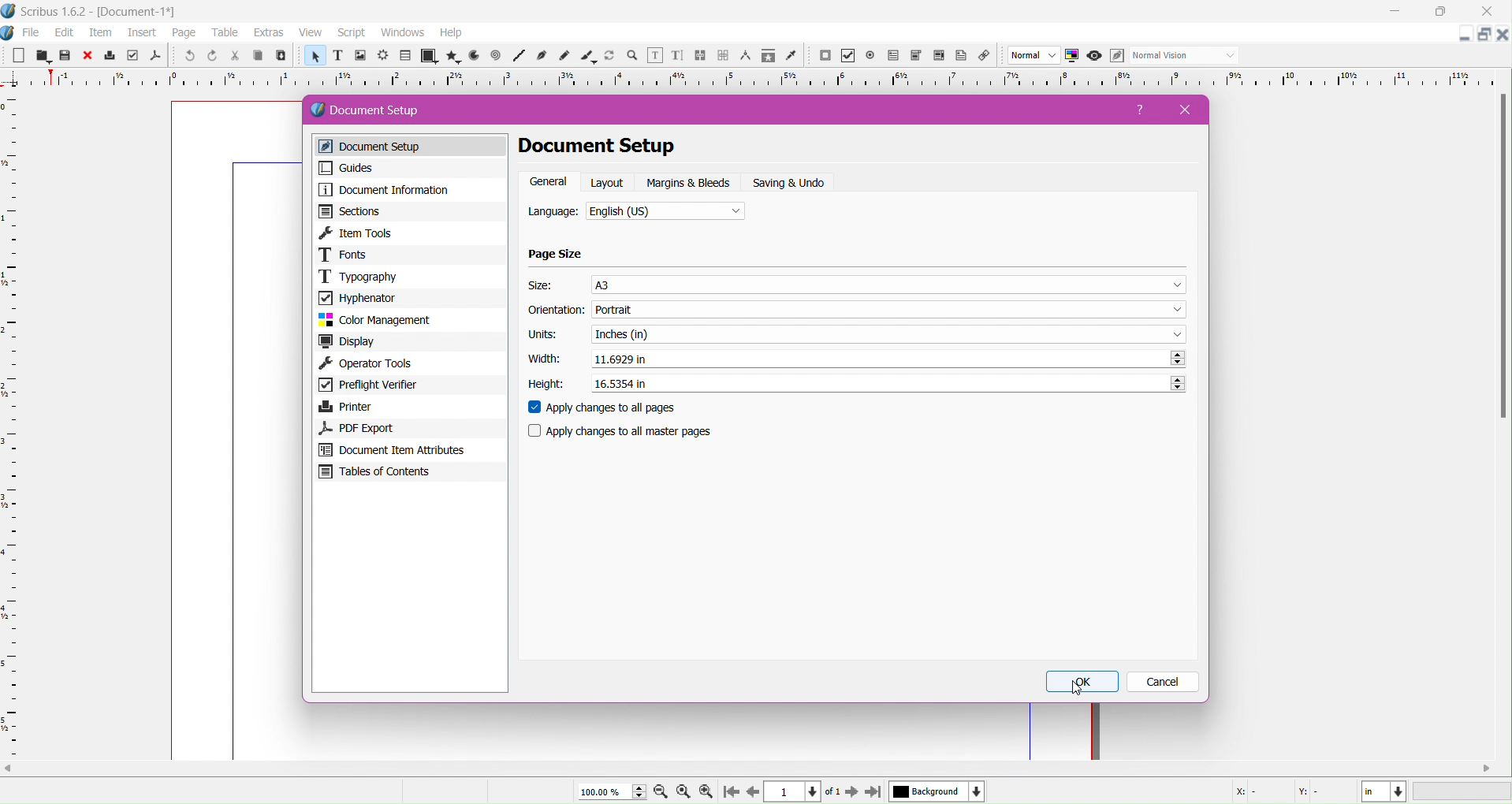 This screenshot has width=1512, height=804. What do you see at coordinates (65, 33) in the screenshot?
I see `edit menu` at bounding box center [65, 33].